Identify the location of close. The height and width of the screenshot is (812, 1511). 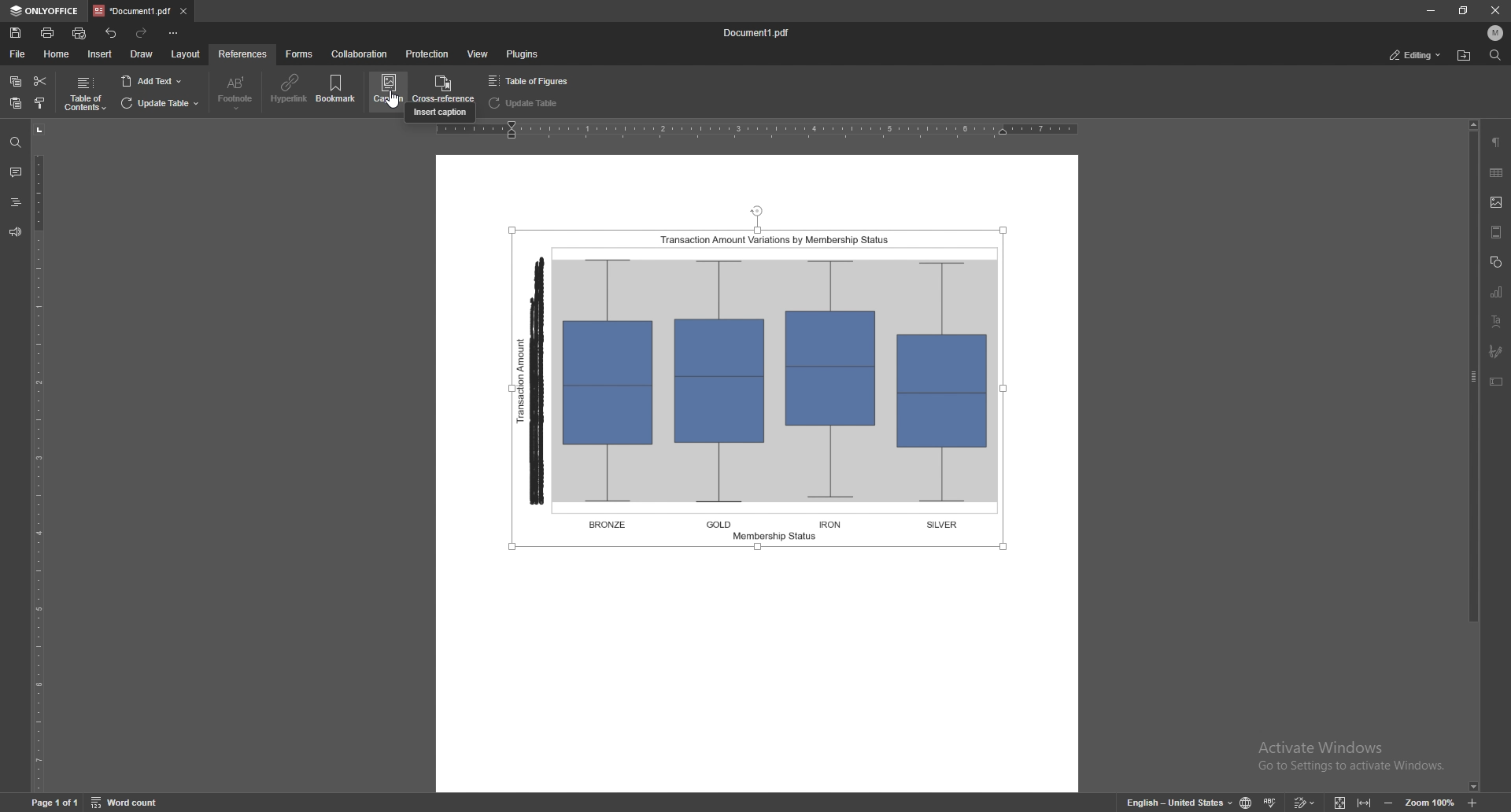
(1494, 10).